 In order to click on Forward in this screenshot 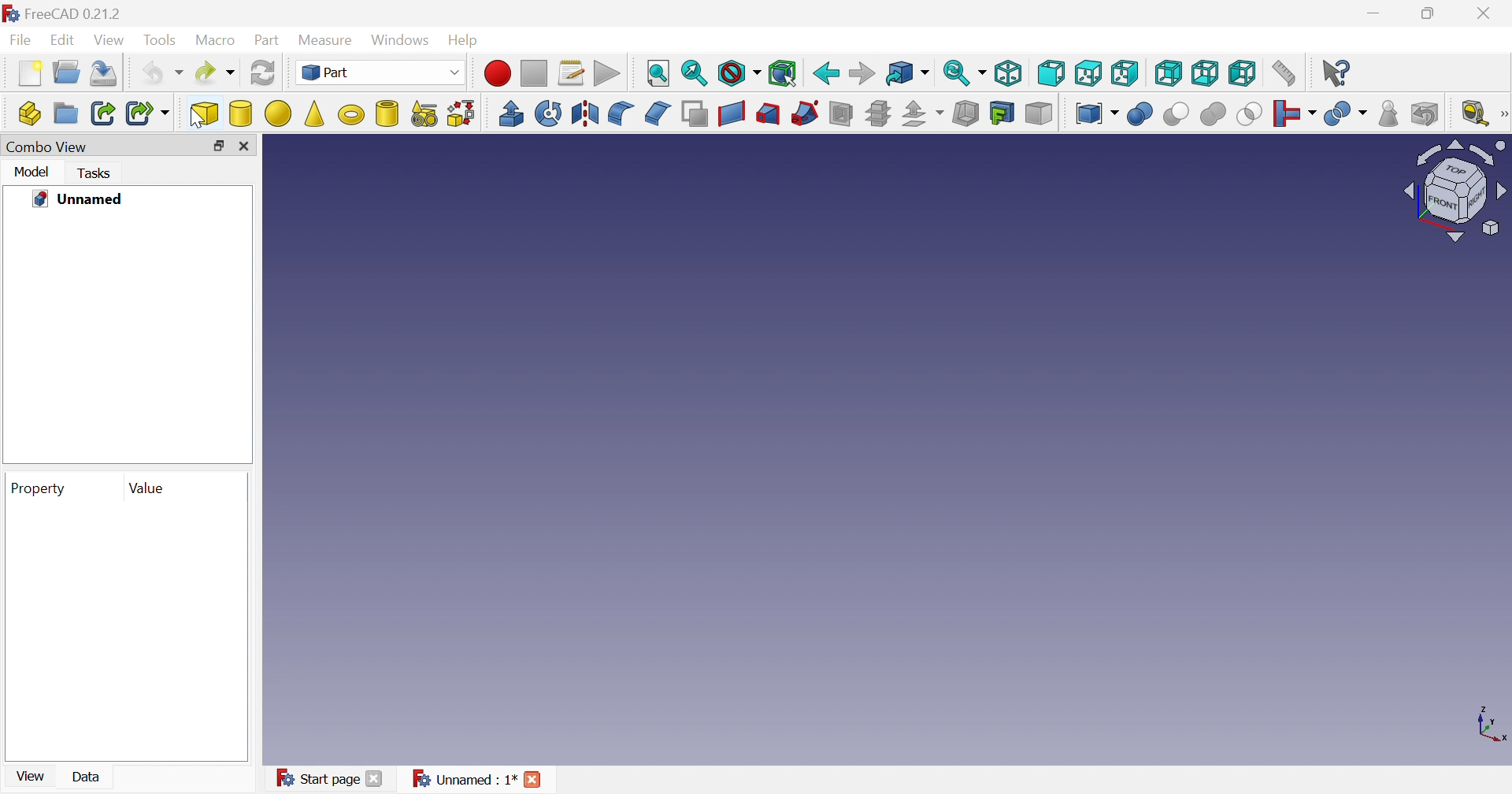, I will do `click(862, 74)`.